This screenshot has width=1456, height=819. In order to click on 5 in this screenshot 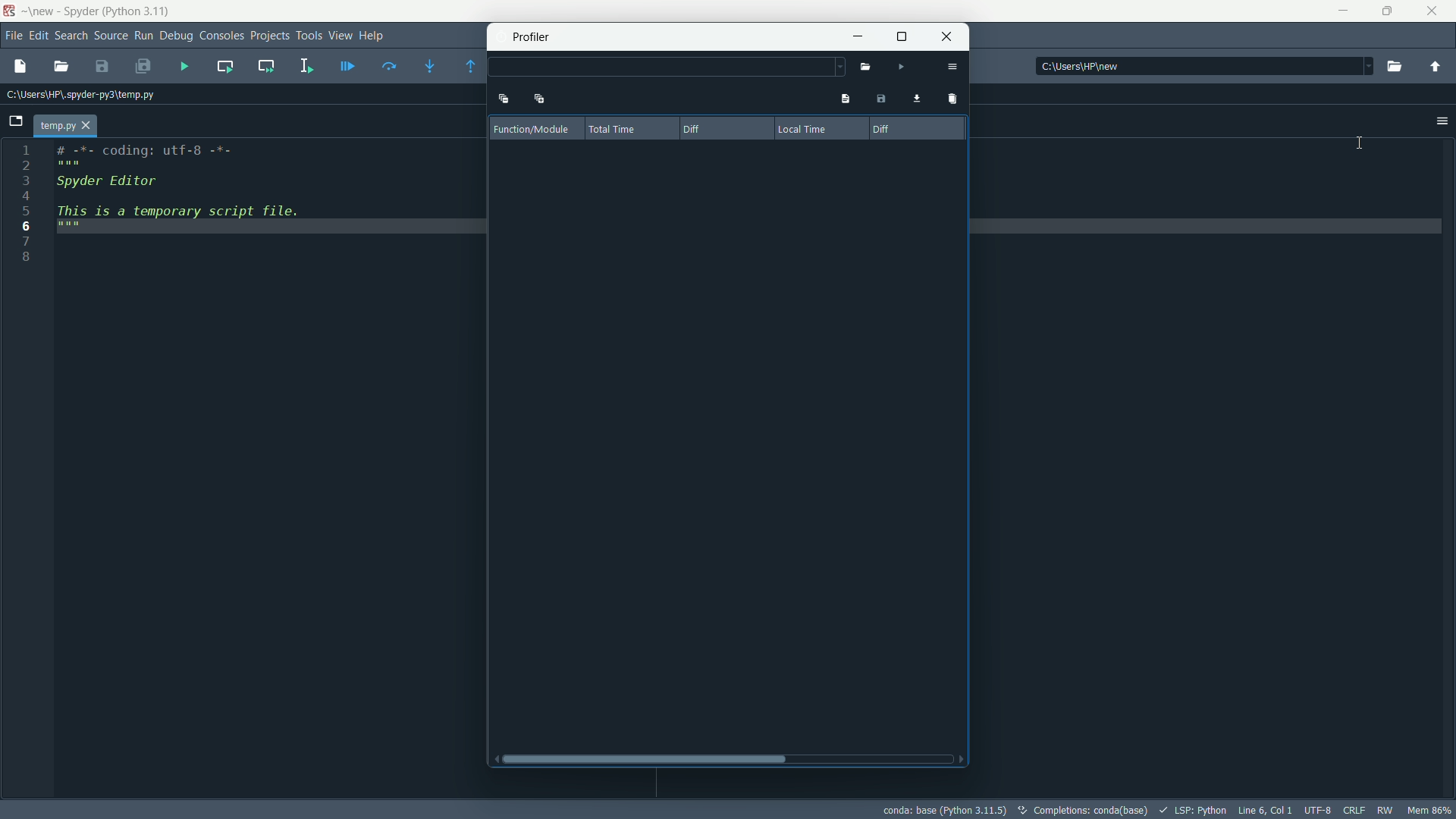, I will do `click(25, 209)`.